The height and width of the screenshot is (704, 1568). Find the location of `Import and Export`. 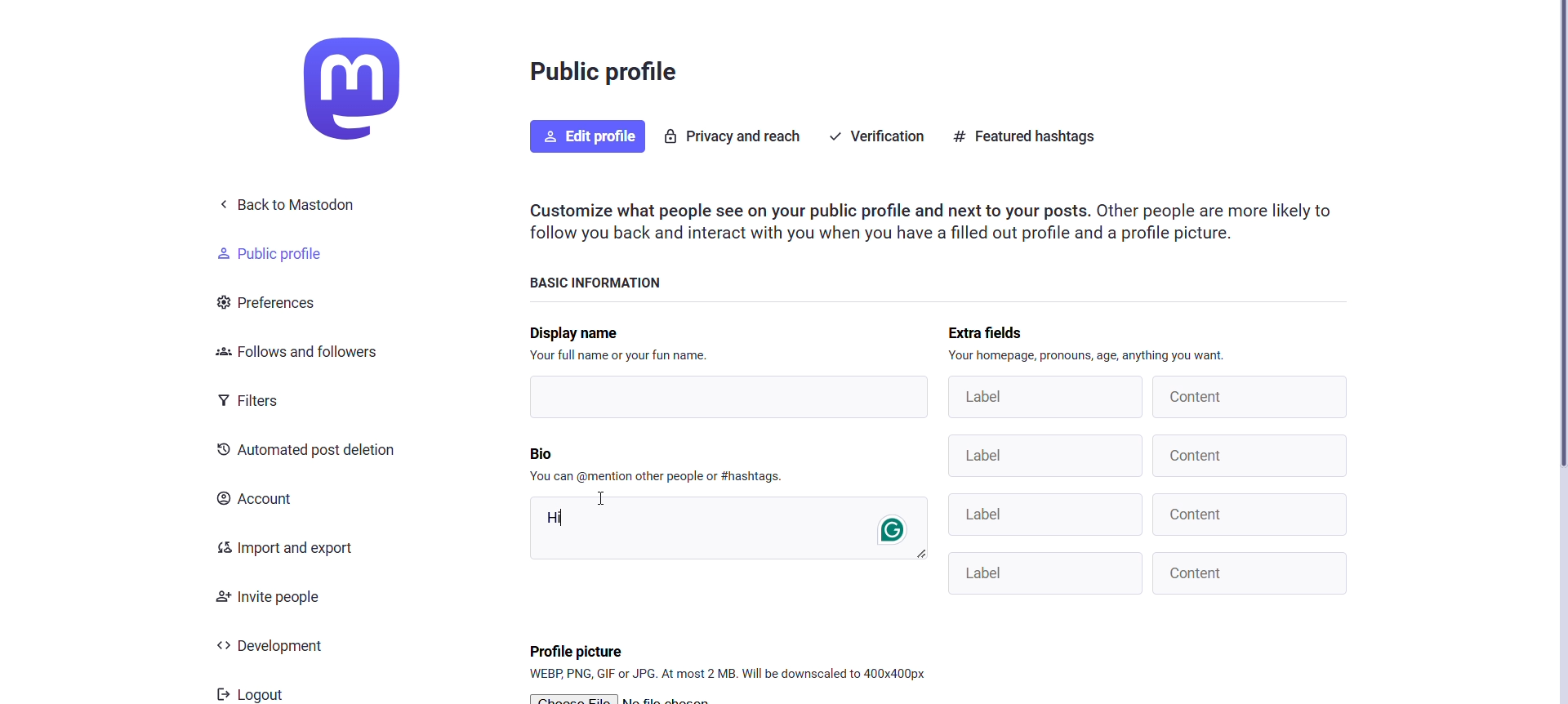

Import and Export is located at coordinates (289, 548).